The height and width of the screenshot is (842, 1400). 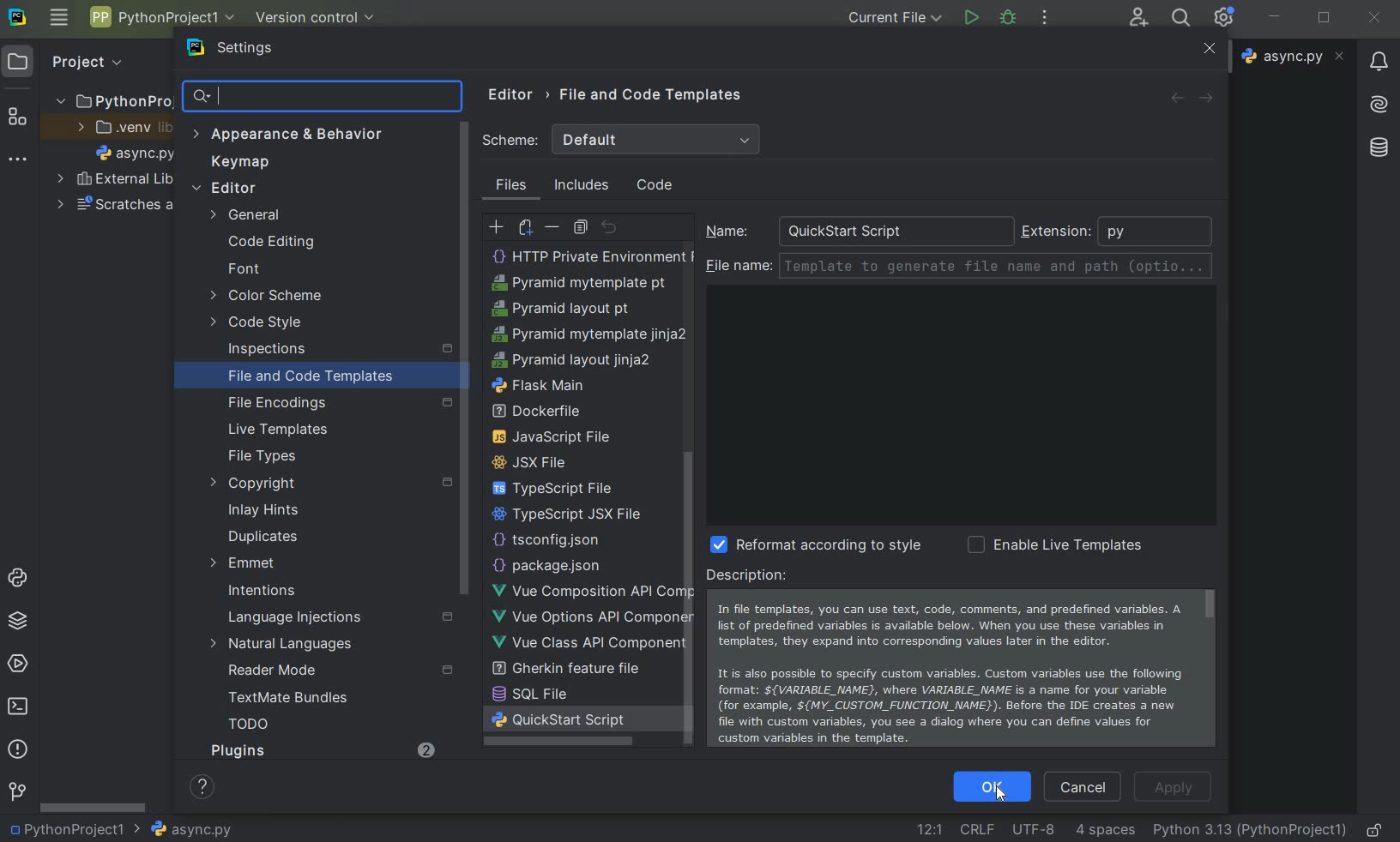 I want to click on file and code templates, so click(x=651, y=97).